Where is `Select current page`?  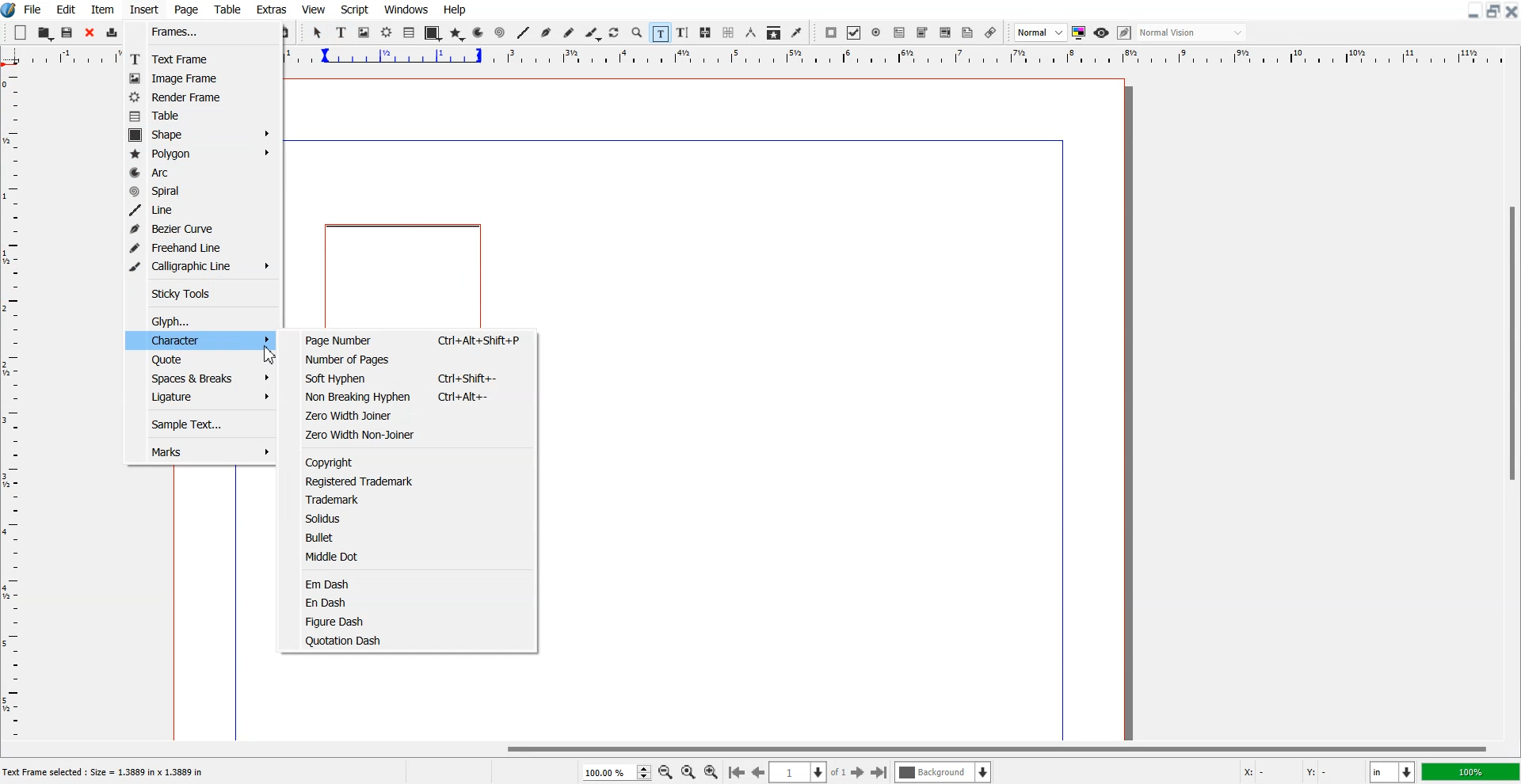
Select current page is located at coordinates (808, 772).